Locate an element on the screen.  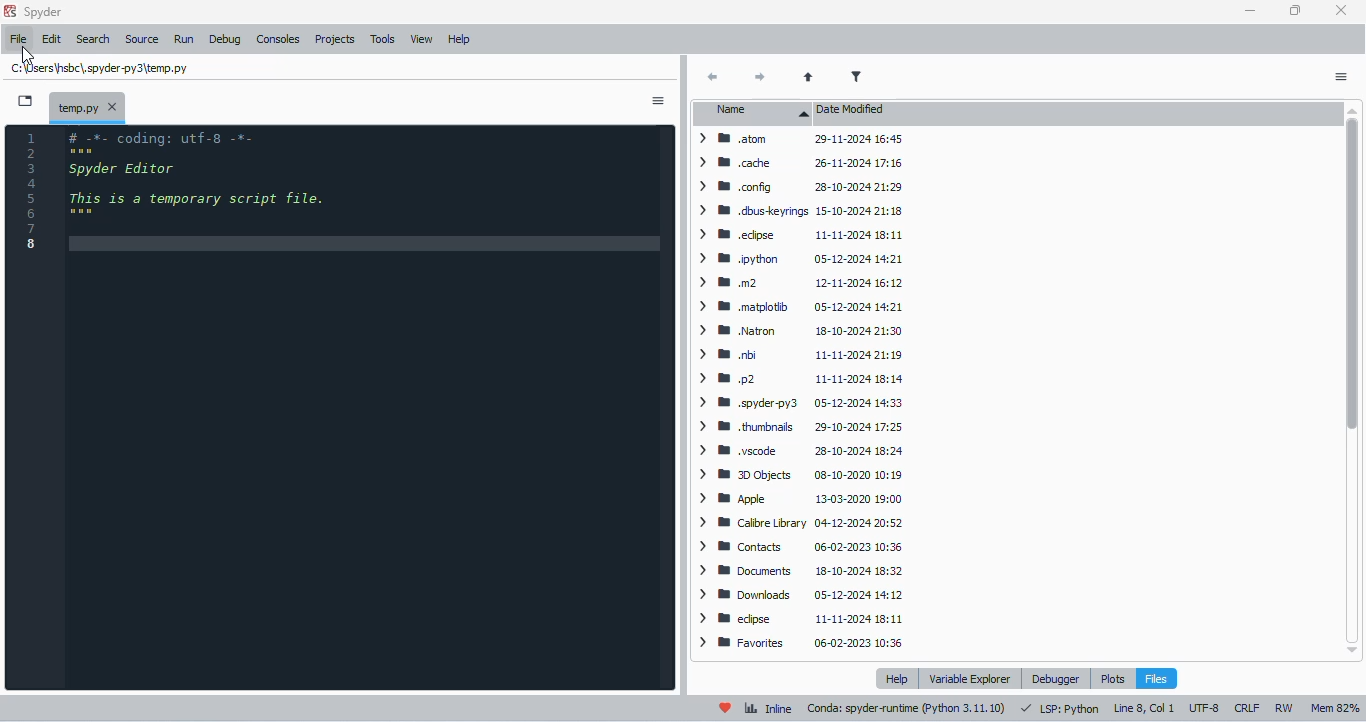
> BB thumbnails 29-10-2024 17:25 is located at coordinates (798, 427).